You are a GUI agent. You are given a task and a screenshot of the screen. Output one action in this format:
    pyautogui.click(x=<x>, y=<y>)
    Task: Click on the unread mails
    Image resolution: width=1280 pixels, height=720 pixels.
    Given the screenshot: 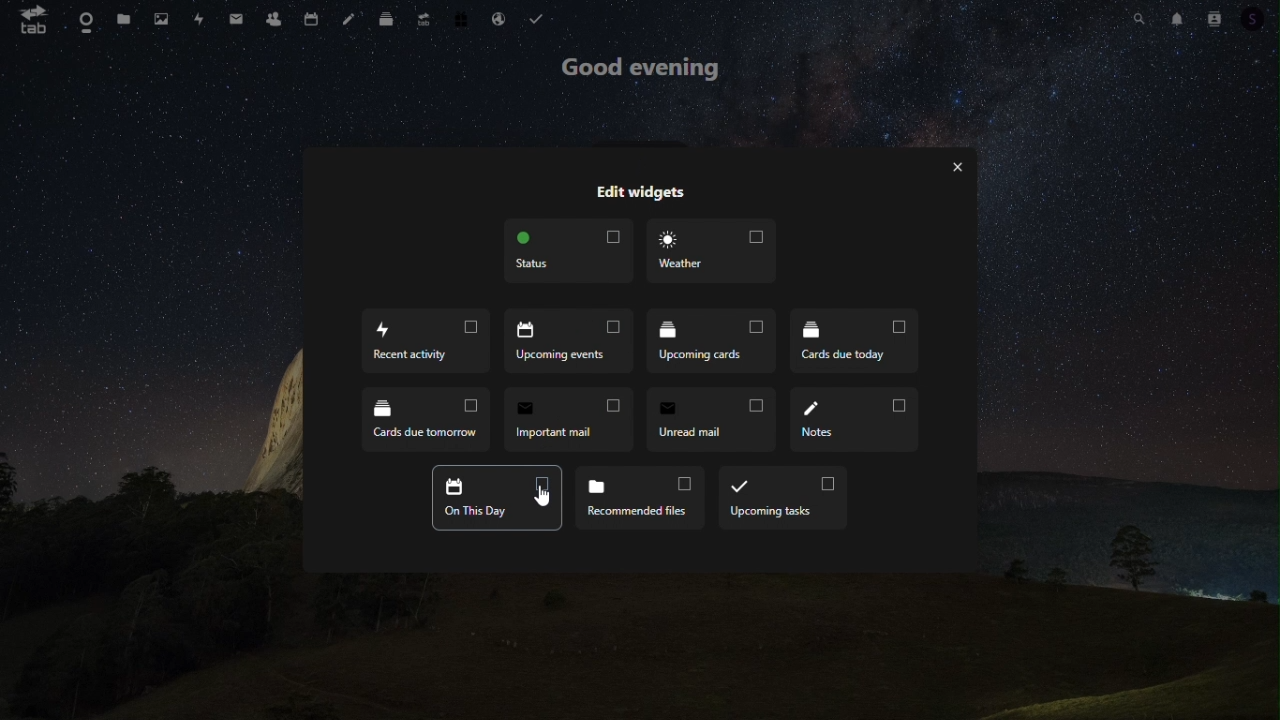 What is the action you would take?
    pyautogui.click(x=710, y=418)
    